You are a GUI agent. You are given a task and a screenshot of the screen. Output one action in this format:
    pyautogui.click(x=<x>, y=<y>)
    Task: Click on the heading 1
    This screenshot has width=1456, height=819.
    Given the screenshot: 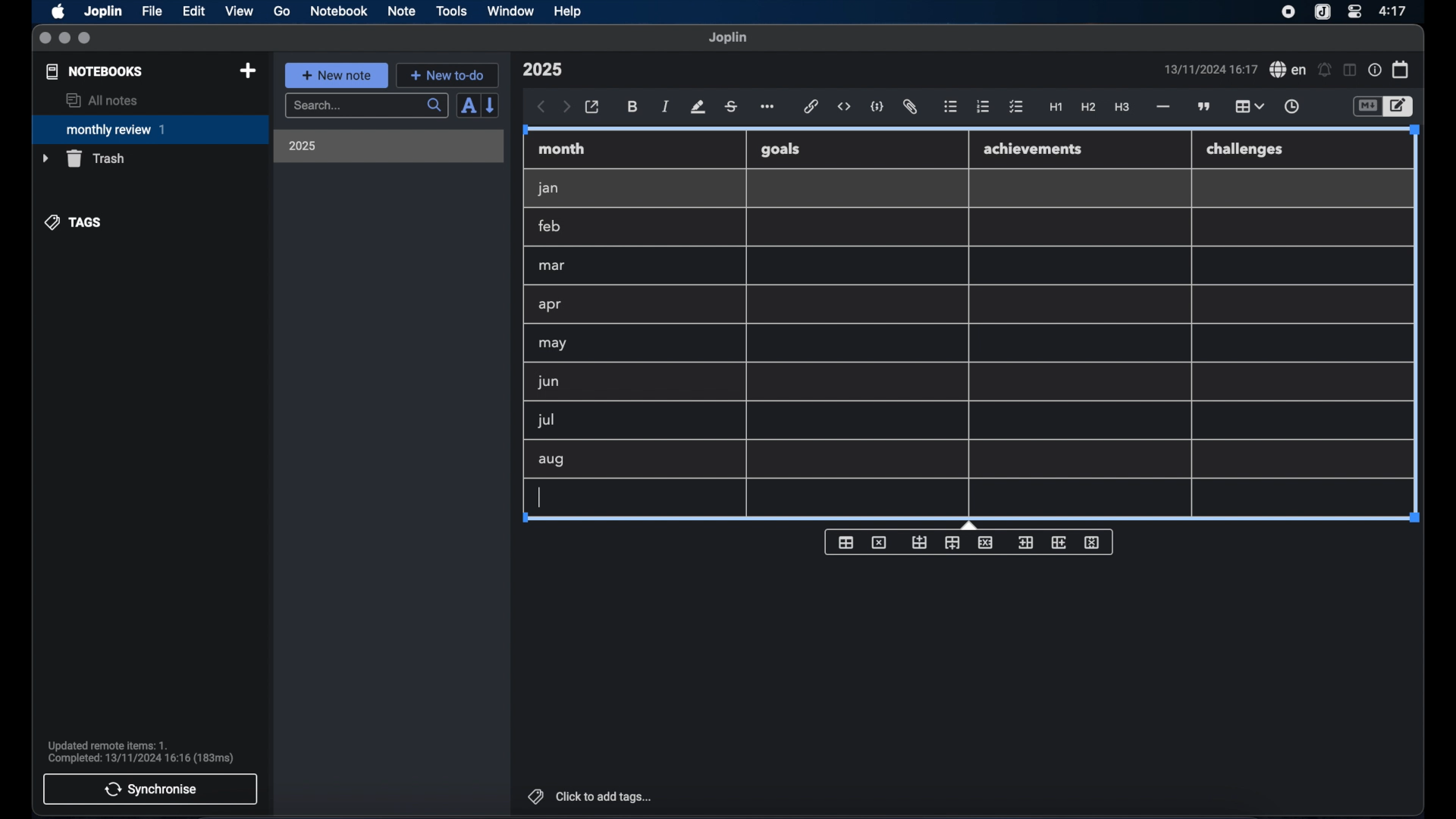 What is the action you would take?
    pyautogui.click(x=1056, y=108)
    